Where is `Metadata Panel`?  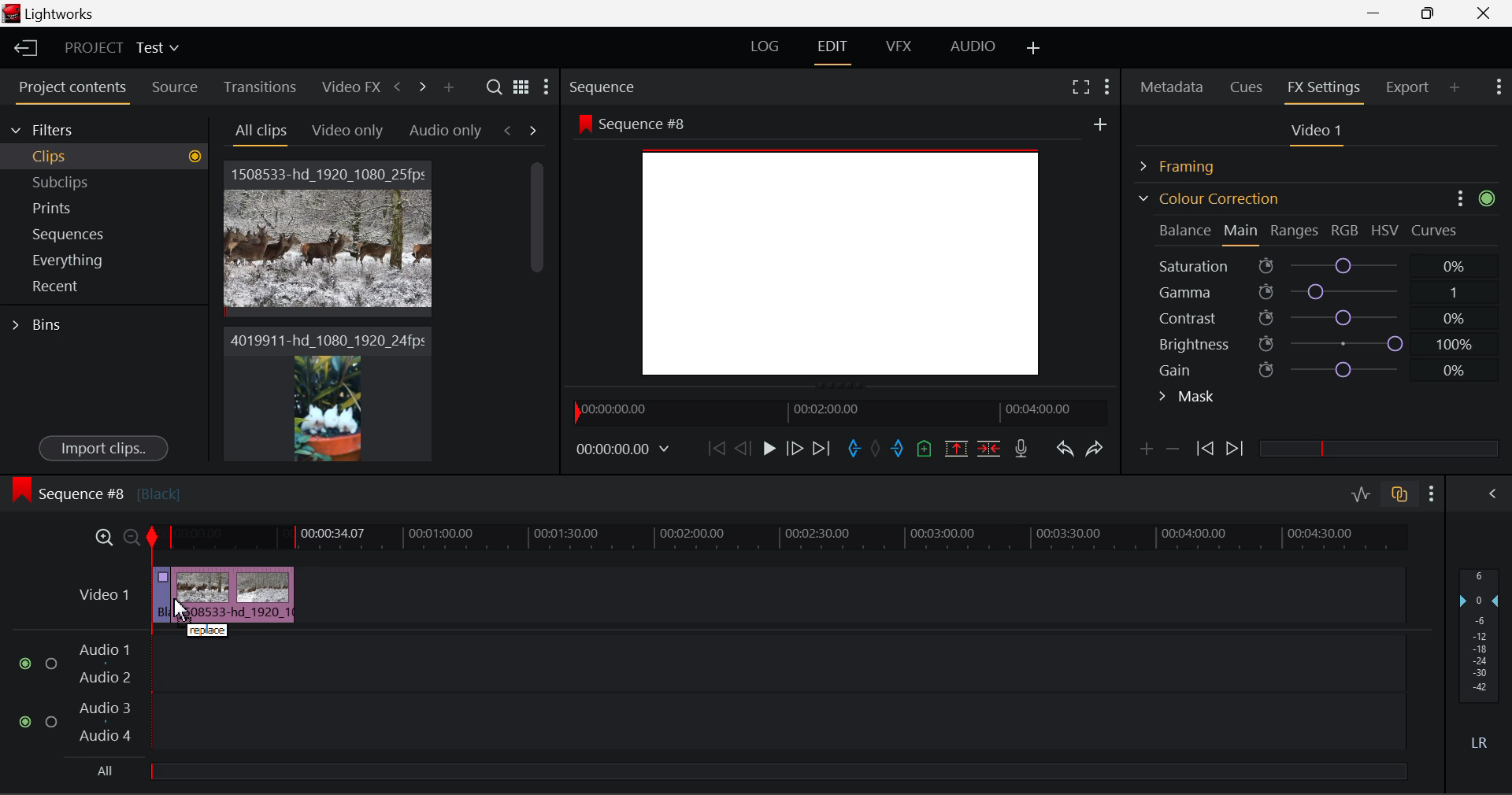
Metadata Panel is located at coordinates (1173, 84).